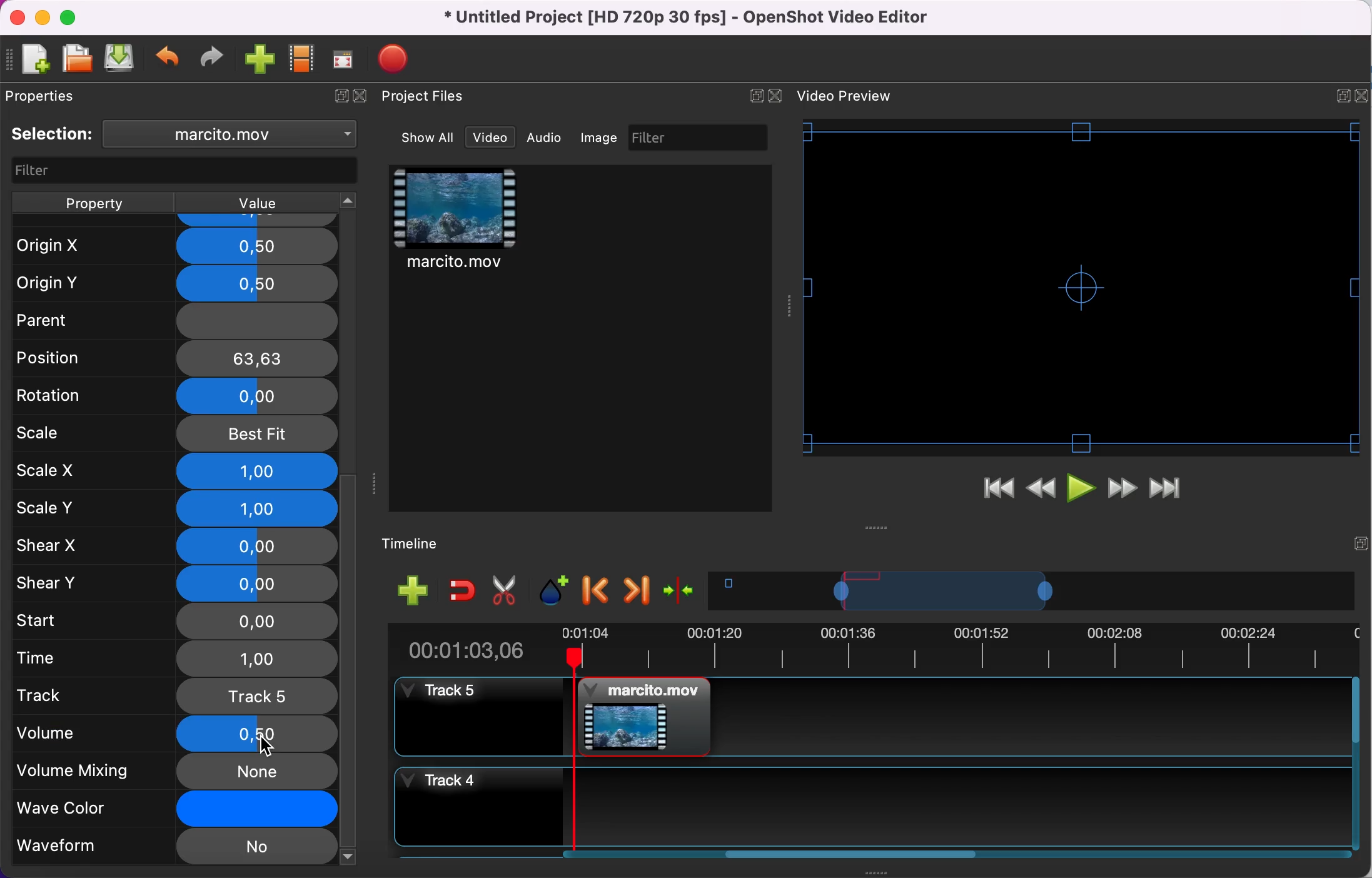  What do you see at coordinates (121, 58) in the screenshot?
I see `save file` at bounding box center [121, 58].